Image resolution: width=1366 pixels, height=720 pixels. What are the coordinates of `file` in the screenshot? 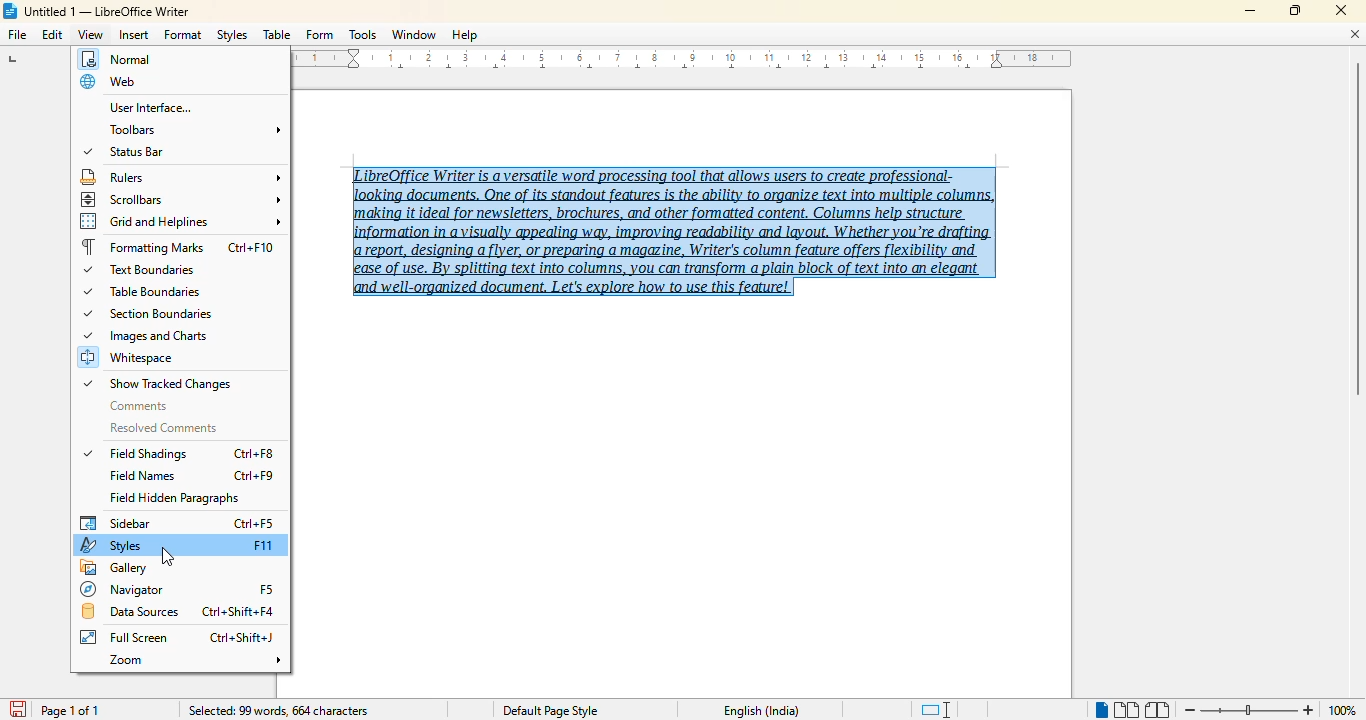 It's located at (16, 34).